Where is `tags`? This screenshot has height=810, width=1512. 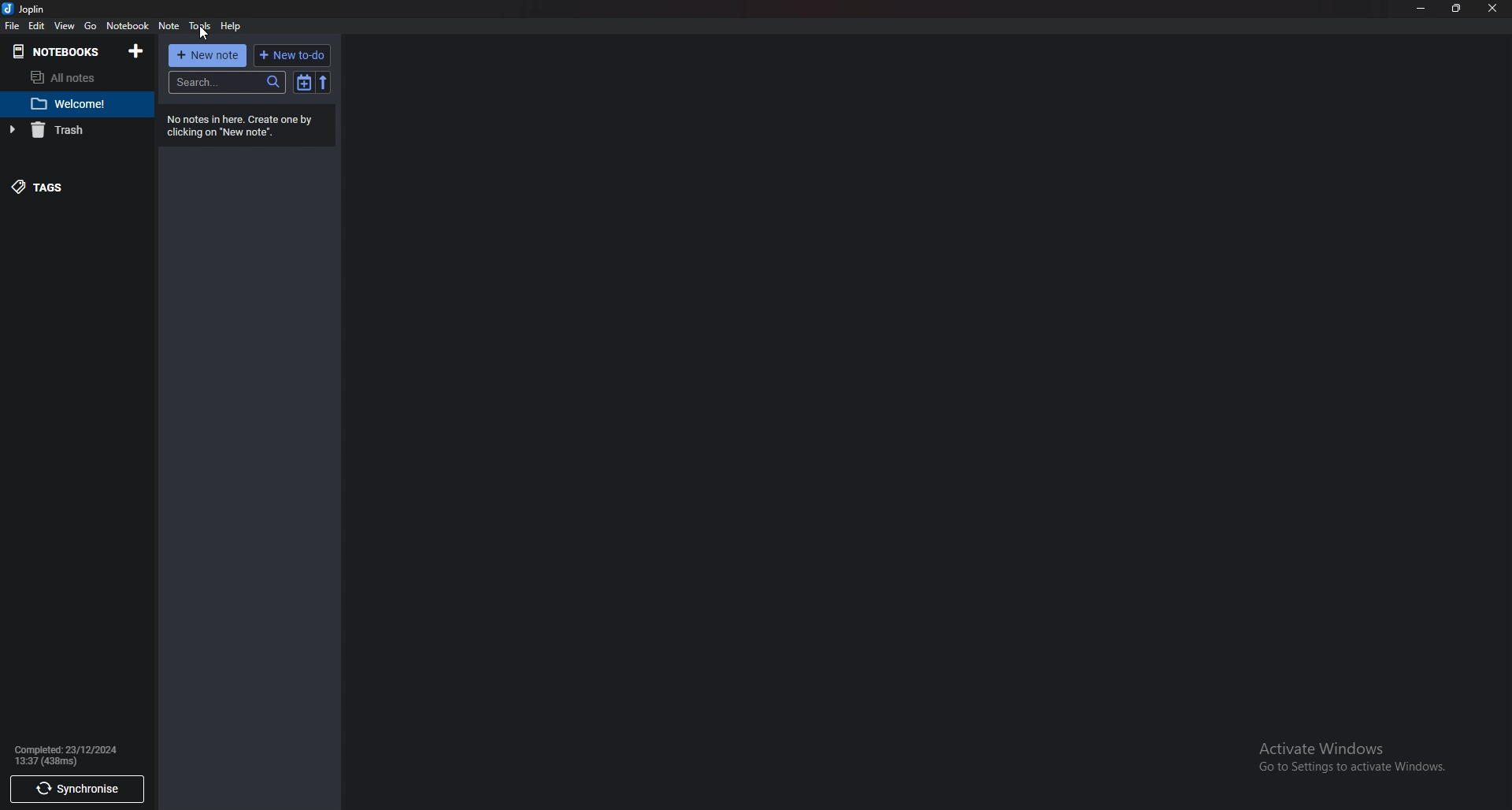 tags is located at coordinates (64, 185).